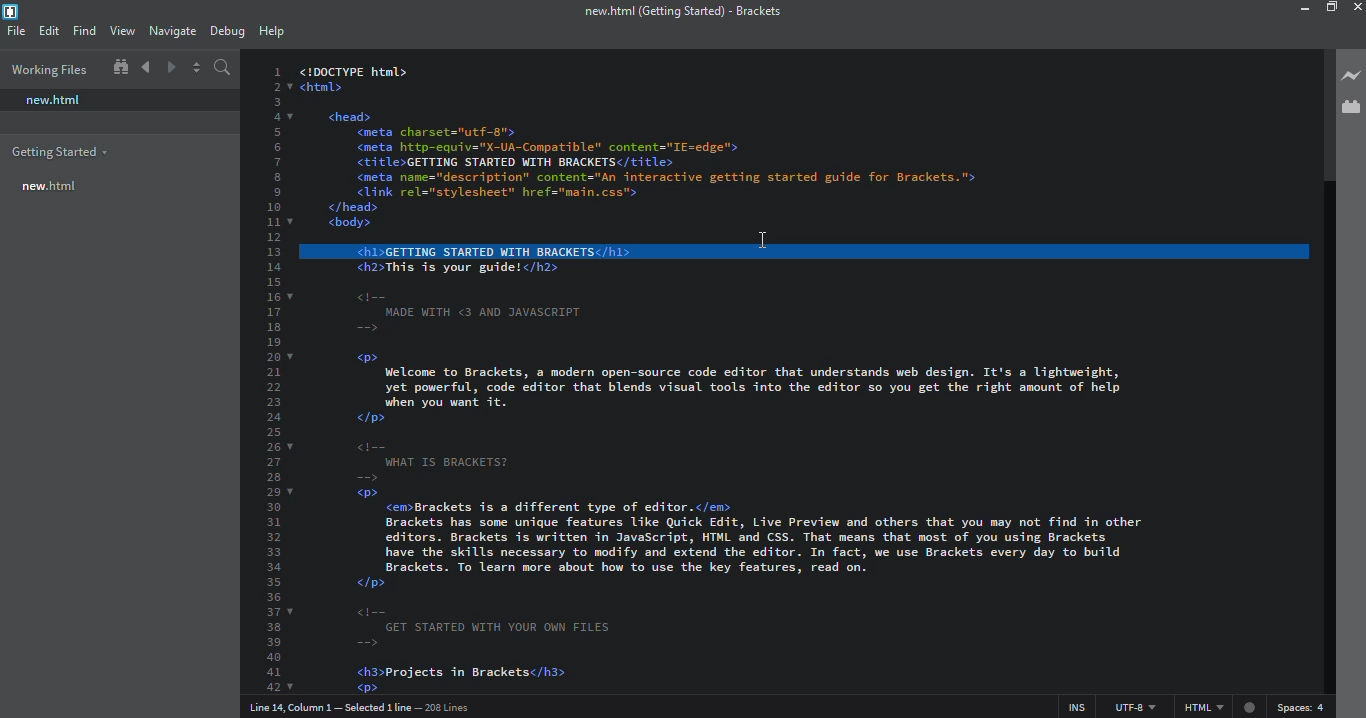  What do you see at coordinates (173, 29) in the screenshot?
I see `navigate` at bounding box center [173, 29].